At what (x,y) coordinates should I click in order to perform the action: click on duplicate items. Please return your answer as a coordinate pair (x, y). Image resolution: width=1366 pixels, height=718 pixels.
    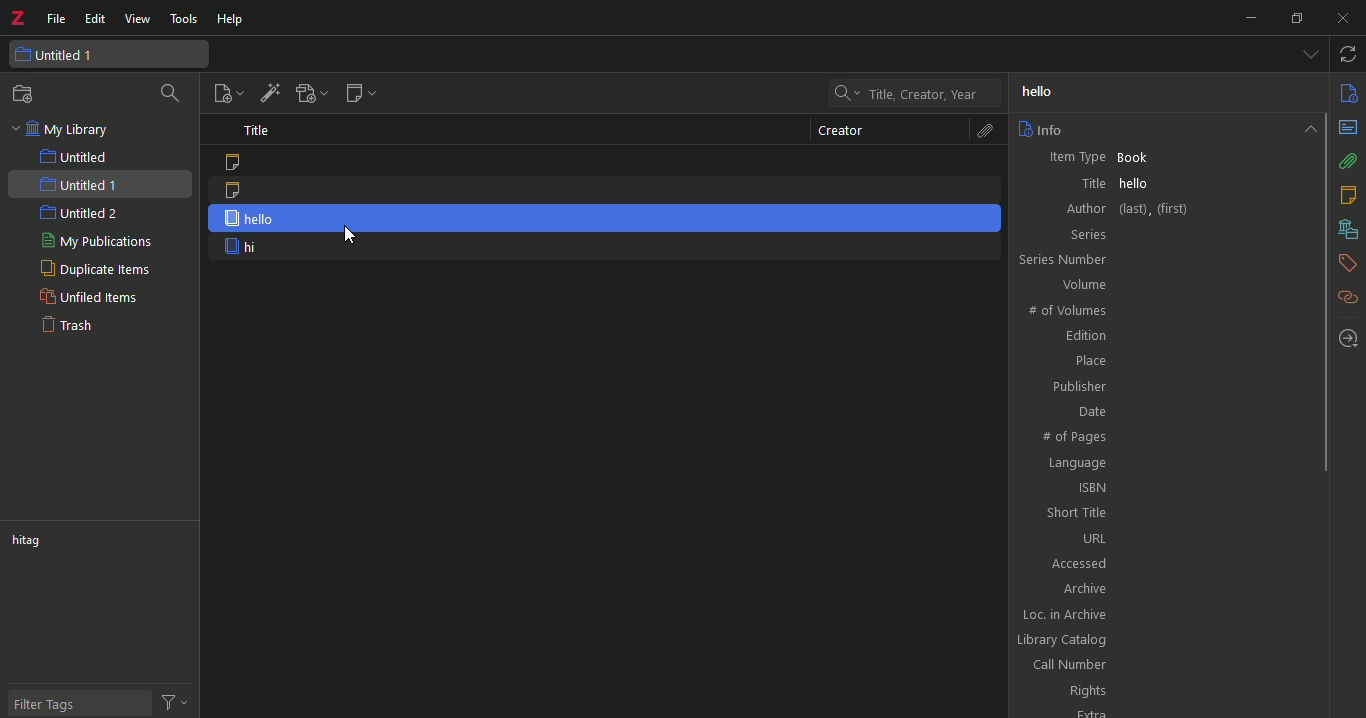
    Looking at the image, I should click on (98, 269).